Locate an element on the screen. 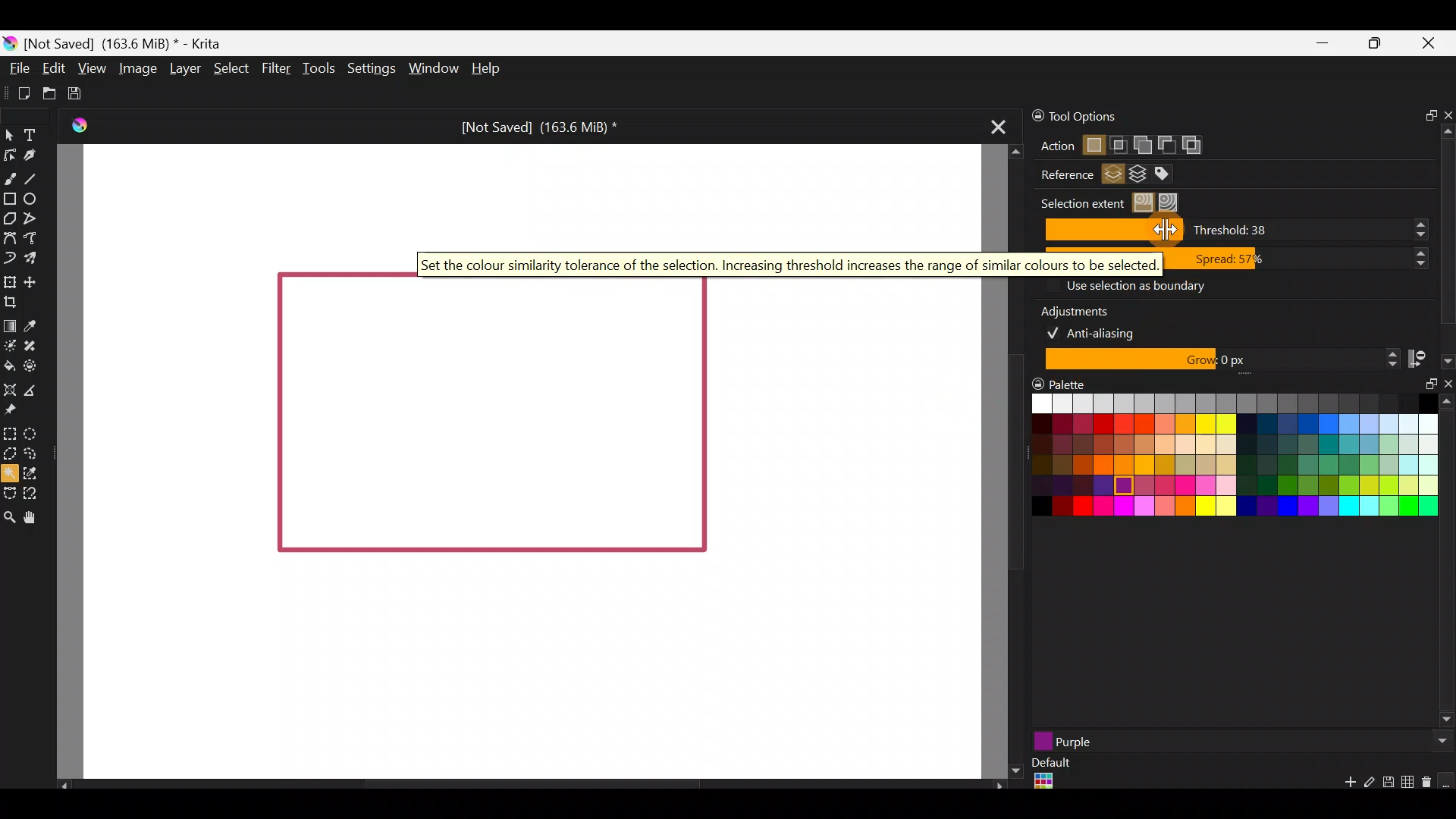 The height and width of the screenshot is (819, 1456). Use selection as boundary is located at coordinates (1134, 284).